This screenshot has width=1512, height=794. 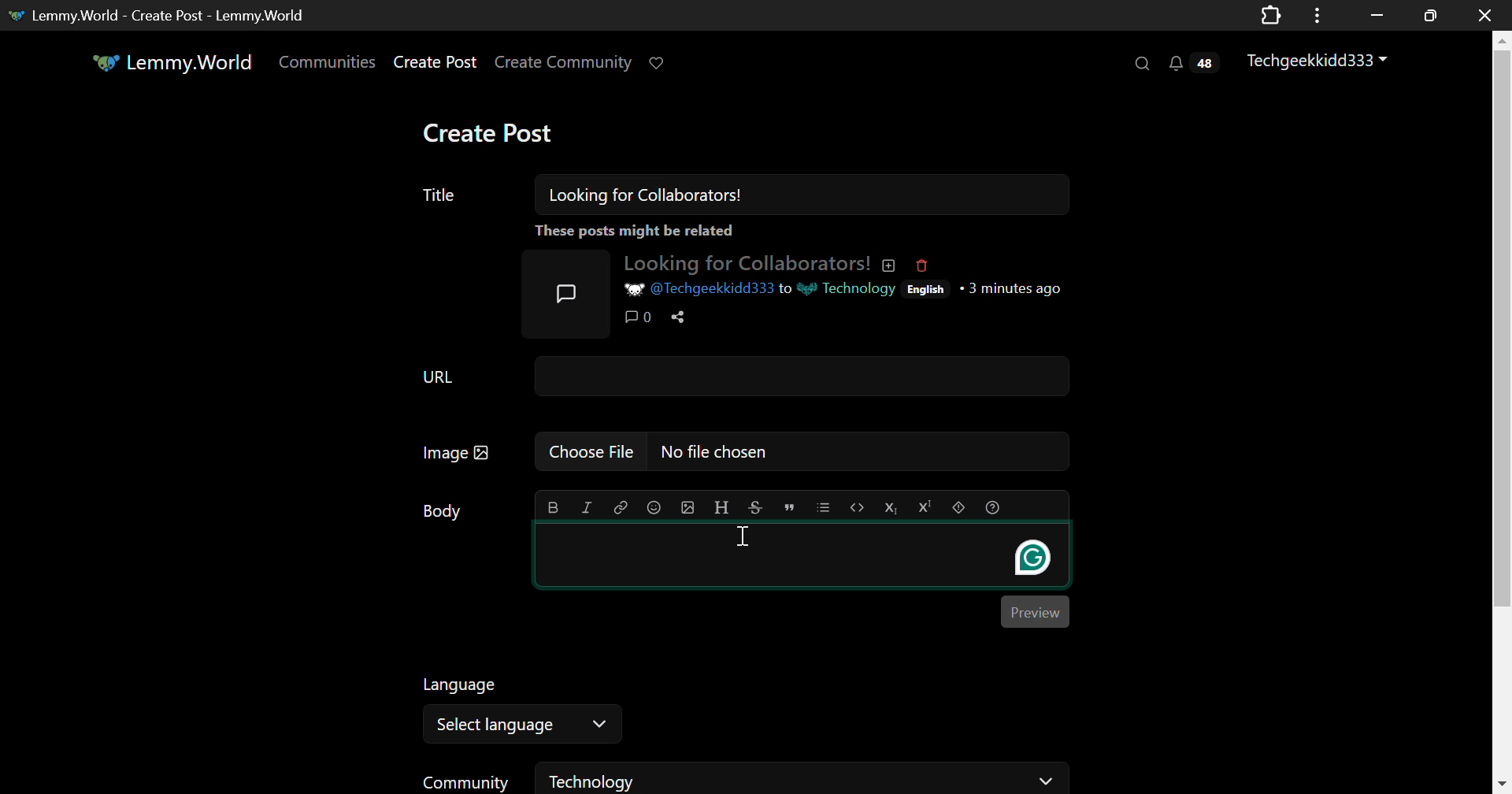 I want to click on Technology, so click(x=849, y=289).